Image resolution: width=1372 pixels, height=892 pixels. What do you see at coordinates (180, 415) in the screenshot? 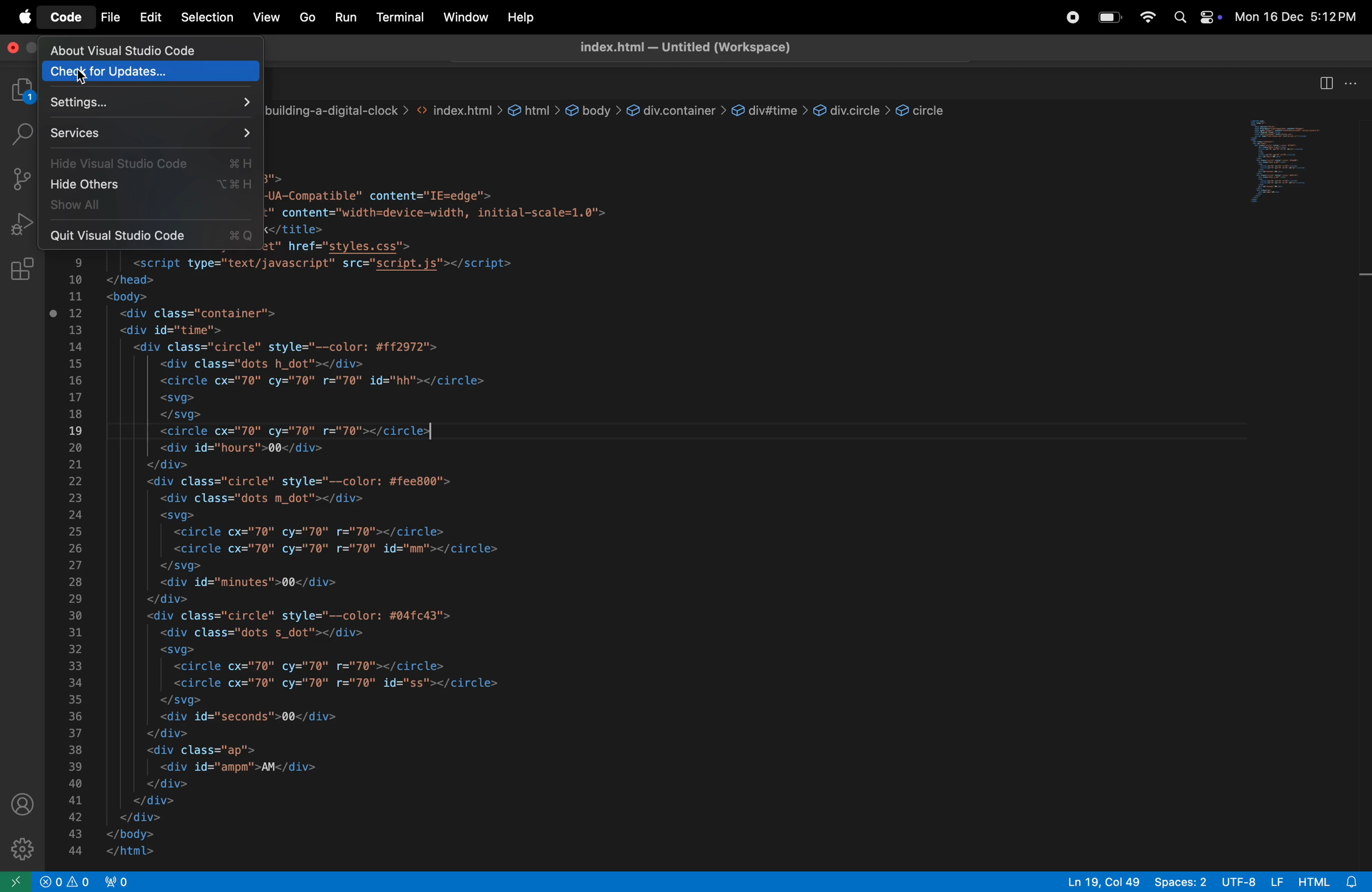
I see `| </svg>` at bounding box center [180, 415].